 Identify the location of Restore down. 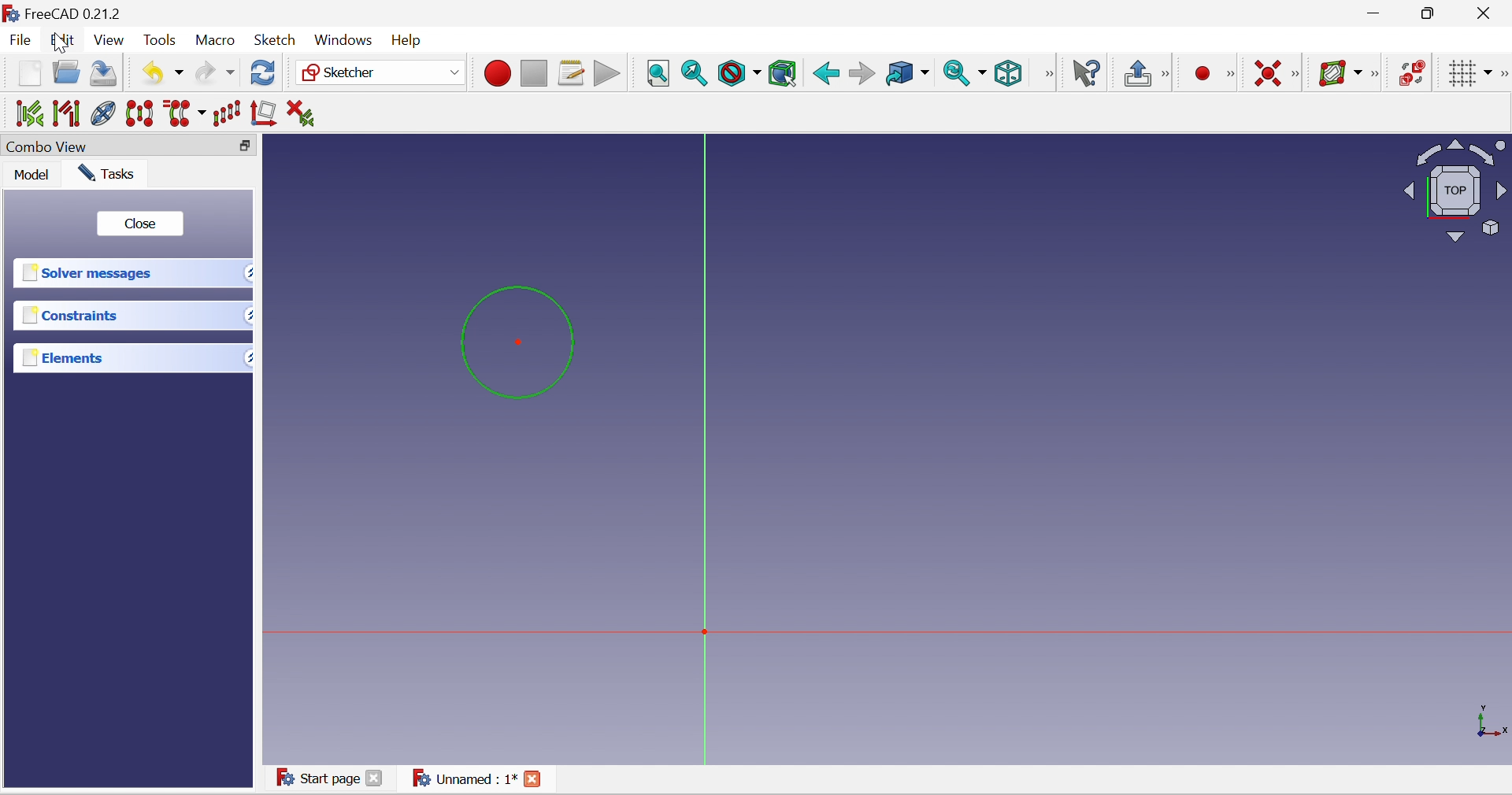
(248, 146).